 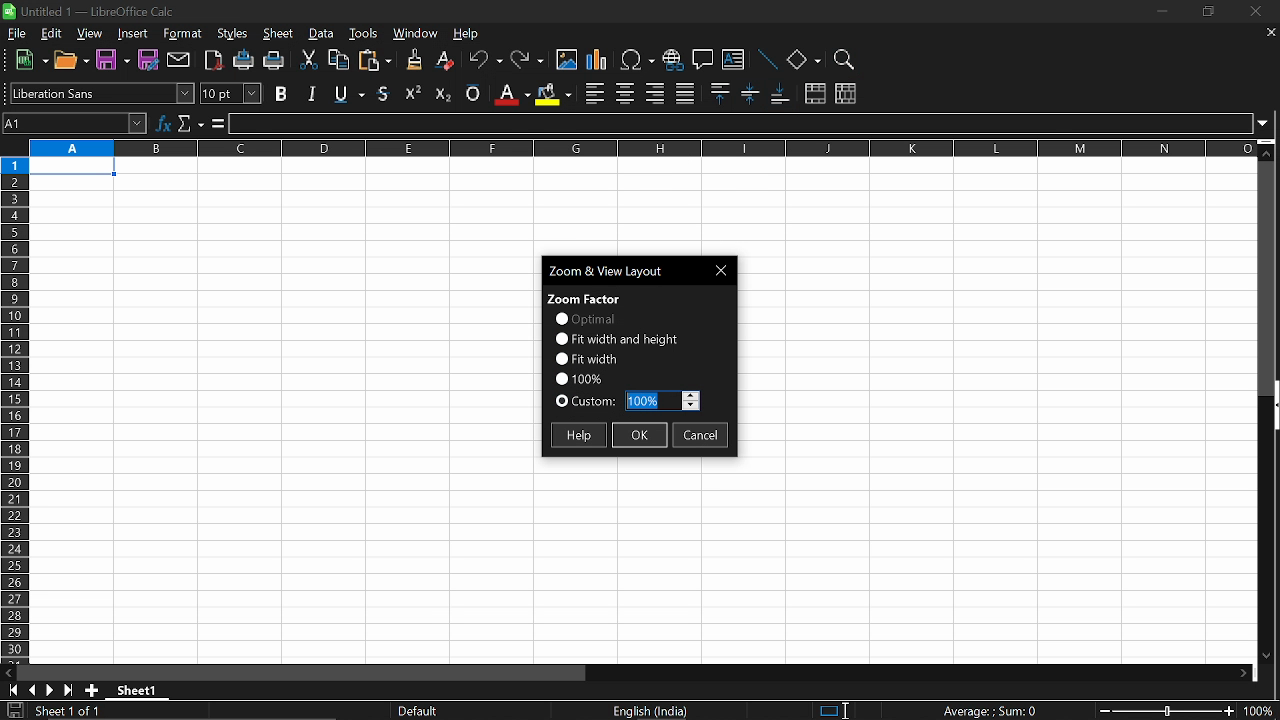 What do you see at coordinates (803, 61) in the screenshot?
I see `shapes` at bounding box center [803, 61].